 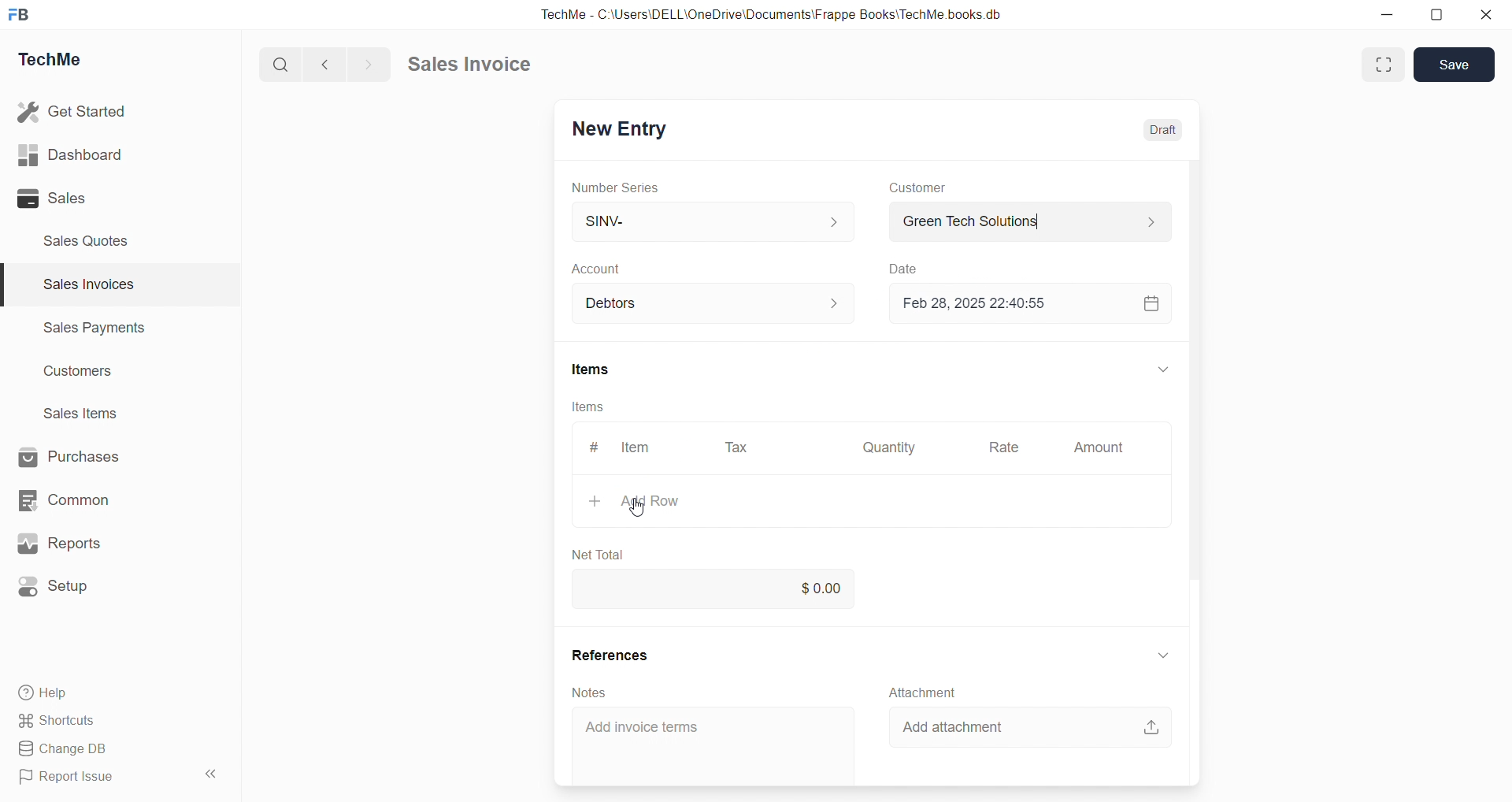 What do you see at coordinates (636, 509) in the screenshot?
I see `cursor` at bounding box center [636, 509].